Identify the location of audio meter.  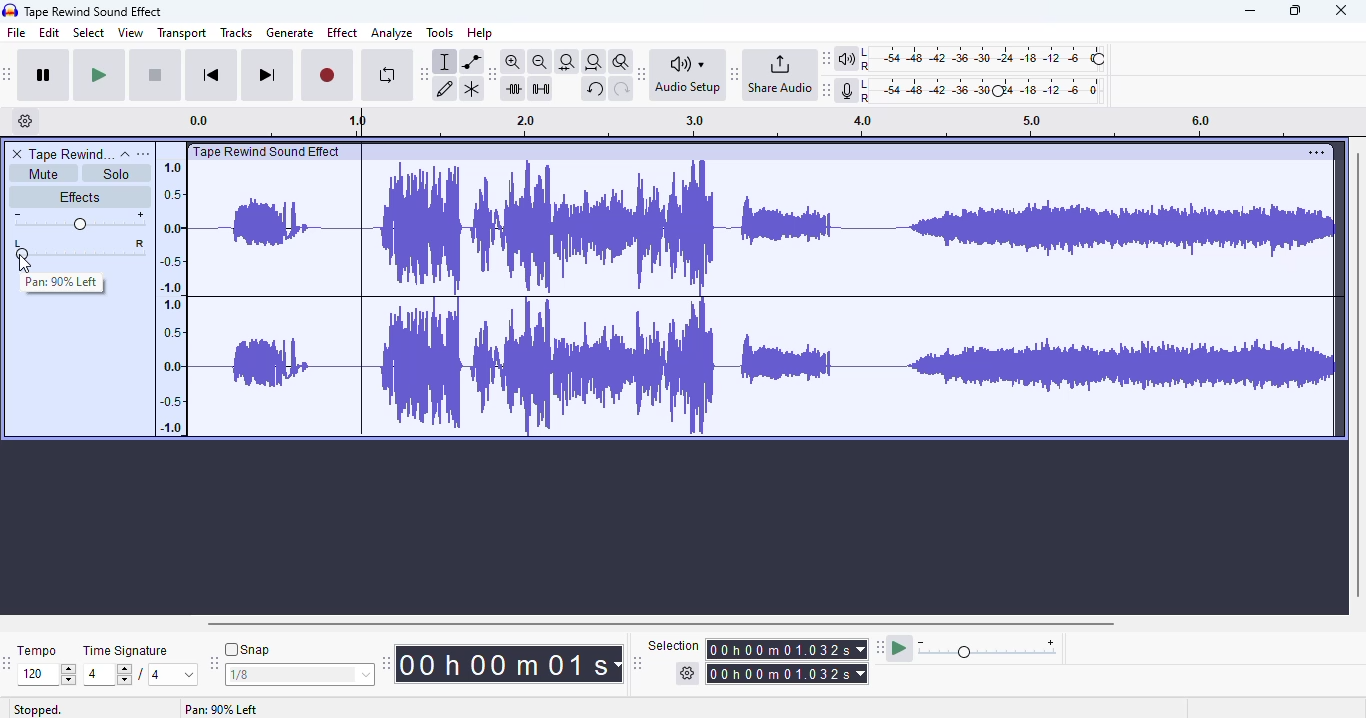
(973, 92).